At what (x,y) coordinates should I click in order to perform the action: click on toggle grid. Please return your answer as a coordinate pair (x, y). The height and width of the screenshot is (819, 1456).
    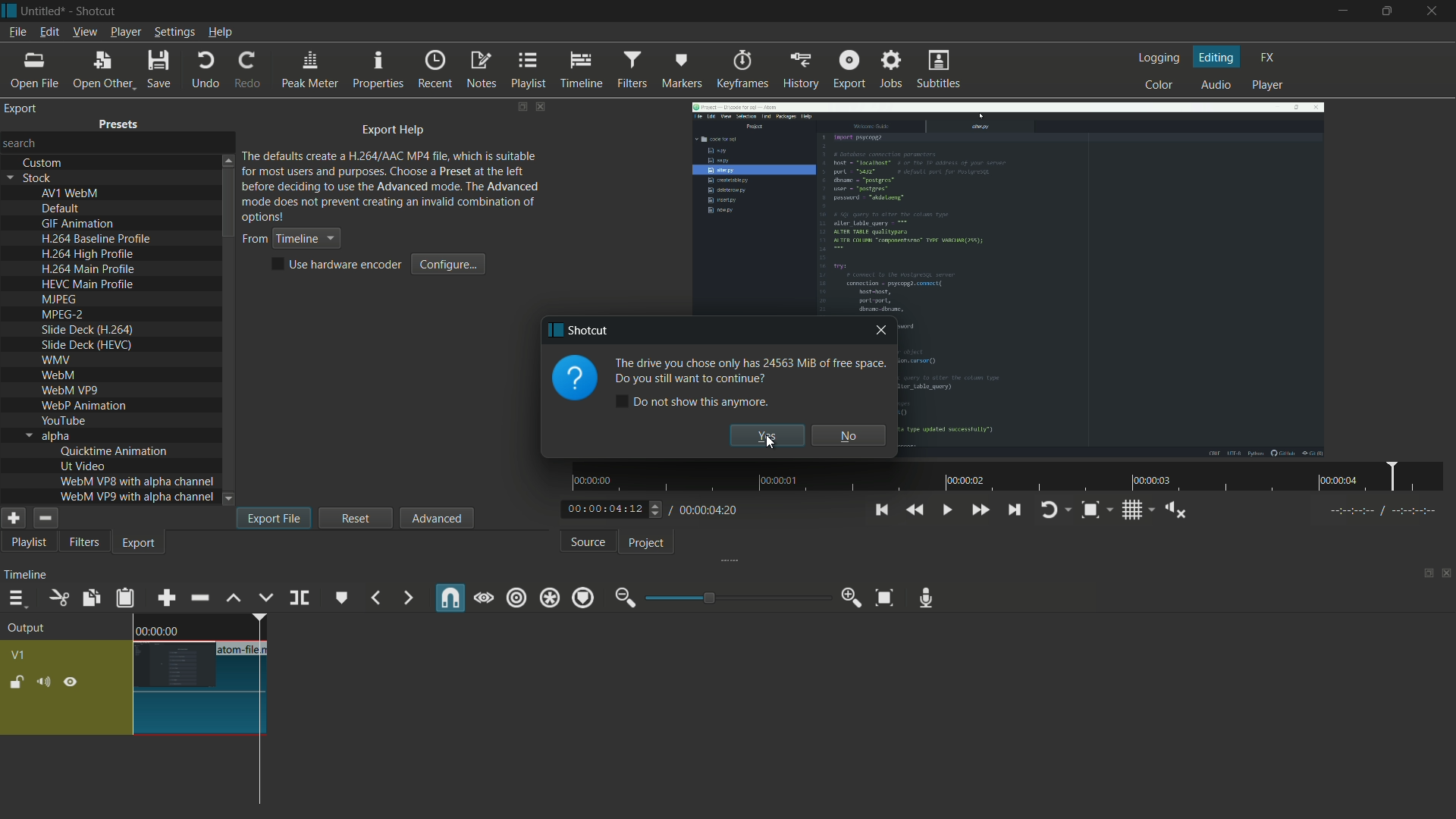
    Looking at the image, I should click on (1132, 512).